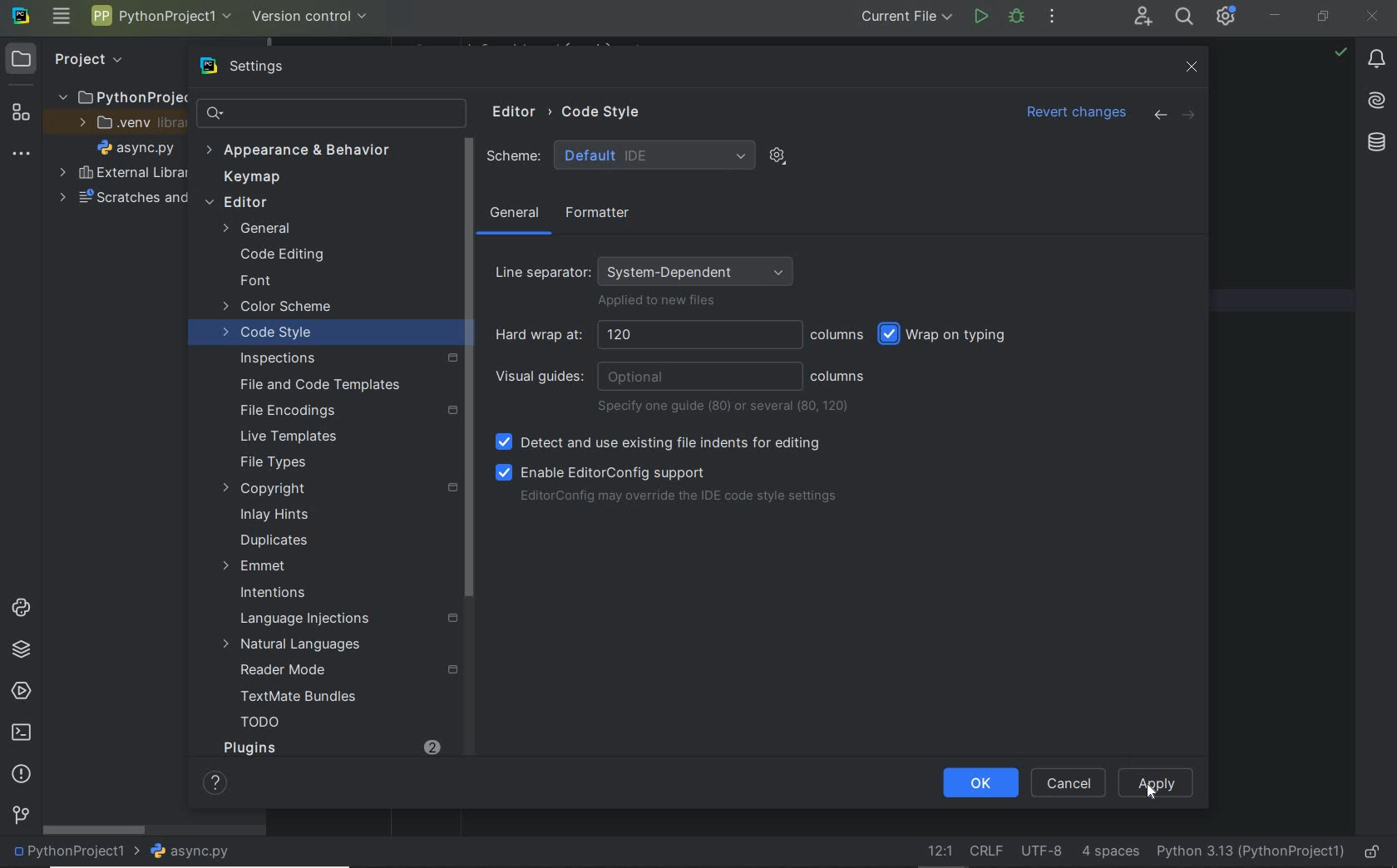 This screenshot has height=868, width=1397. Describe the element at coordinates (335, 671) in the screenshot. I see `reader Mode` at that location.